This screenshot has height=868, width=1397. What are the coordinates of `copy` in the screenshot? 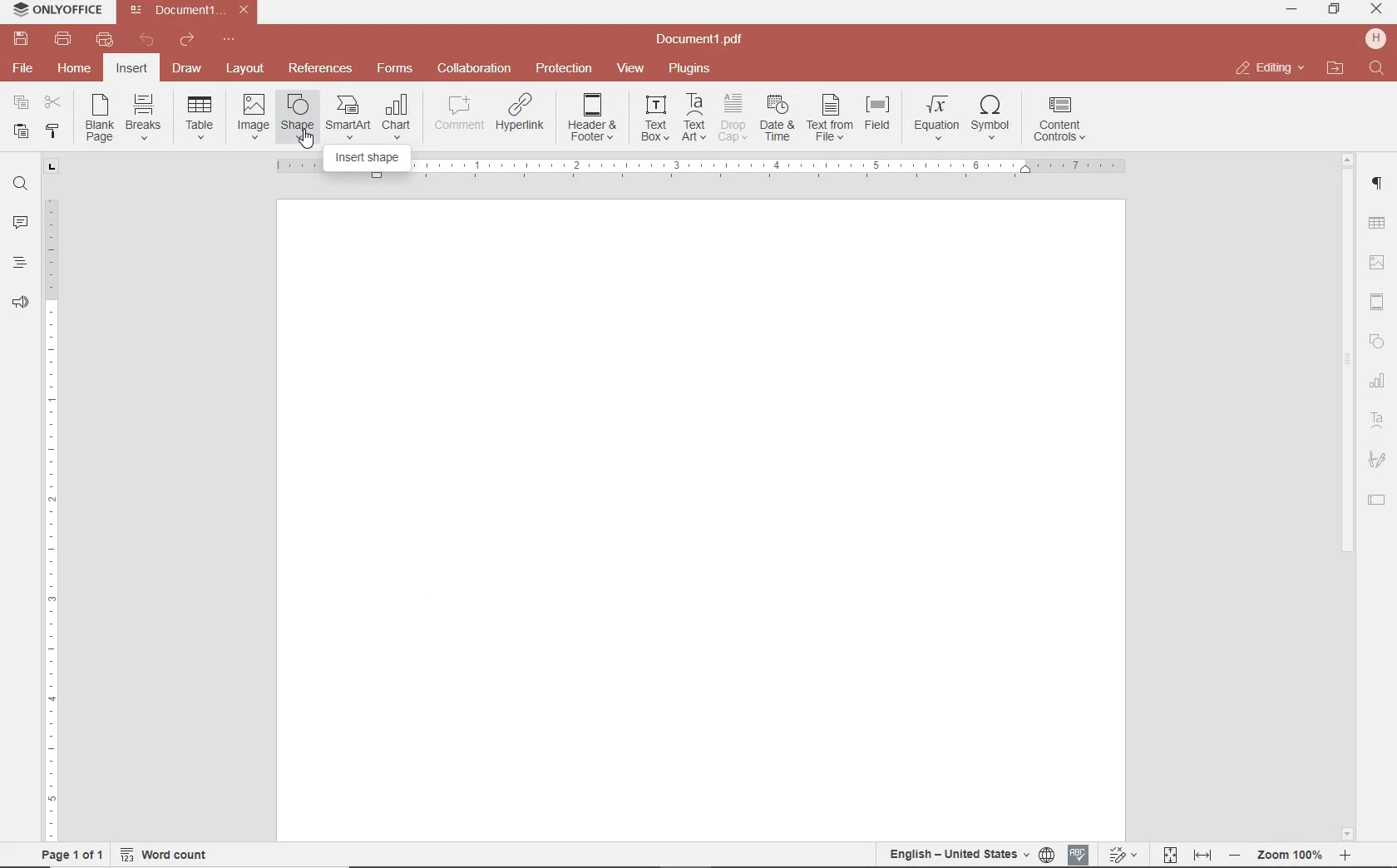 It's located at (21, 104).